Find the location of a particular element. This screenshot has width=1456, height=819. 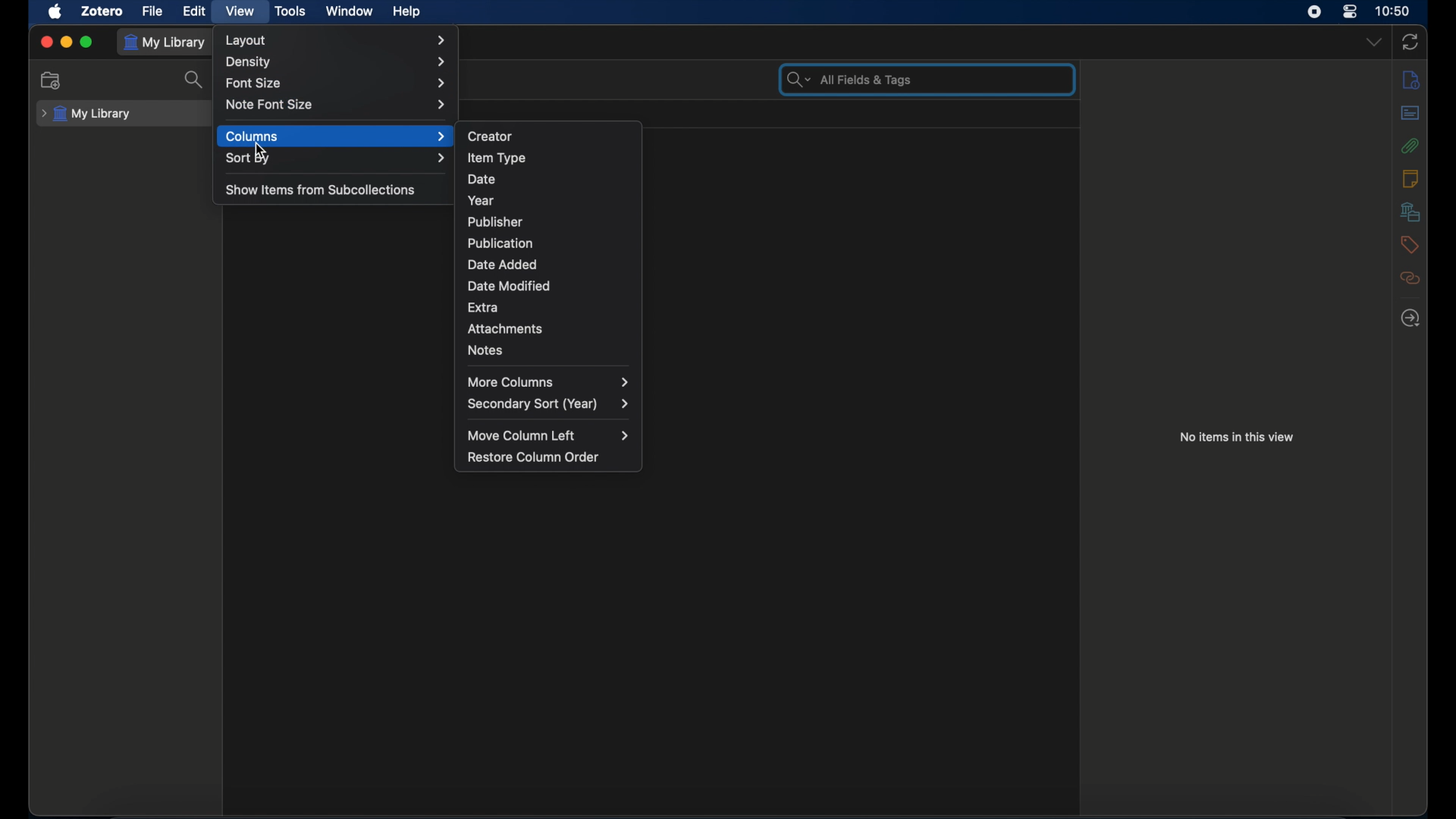

tags is located at coordinates (1409, 245).